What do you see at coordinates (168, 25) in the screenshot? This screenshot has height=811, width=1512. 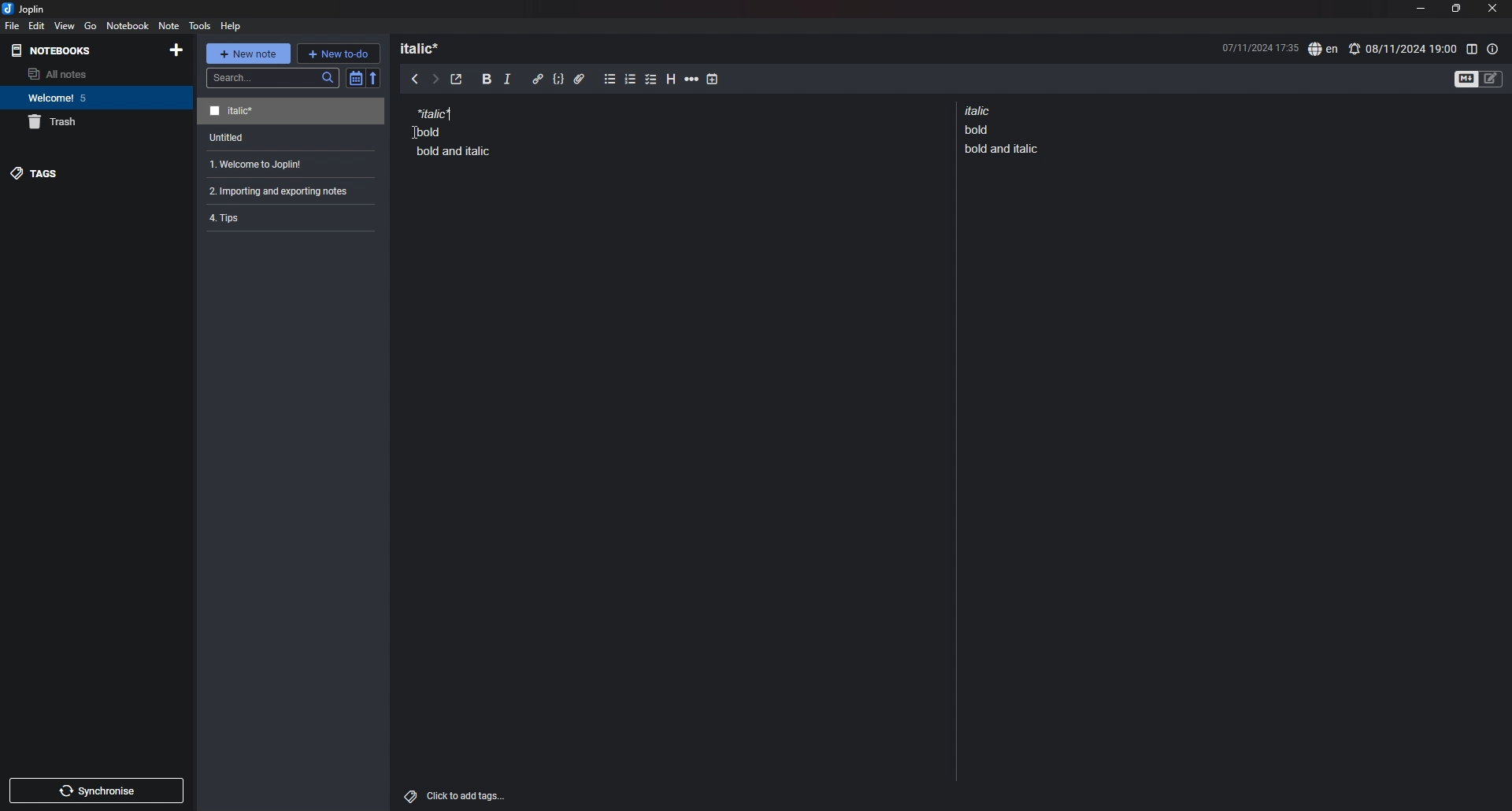 I see `note` at bounding box center [168, 25].